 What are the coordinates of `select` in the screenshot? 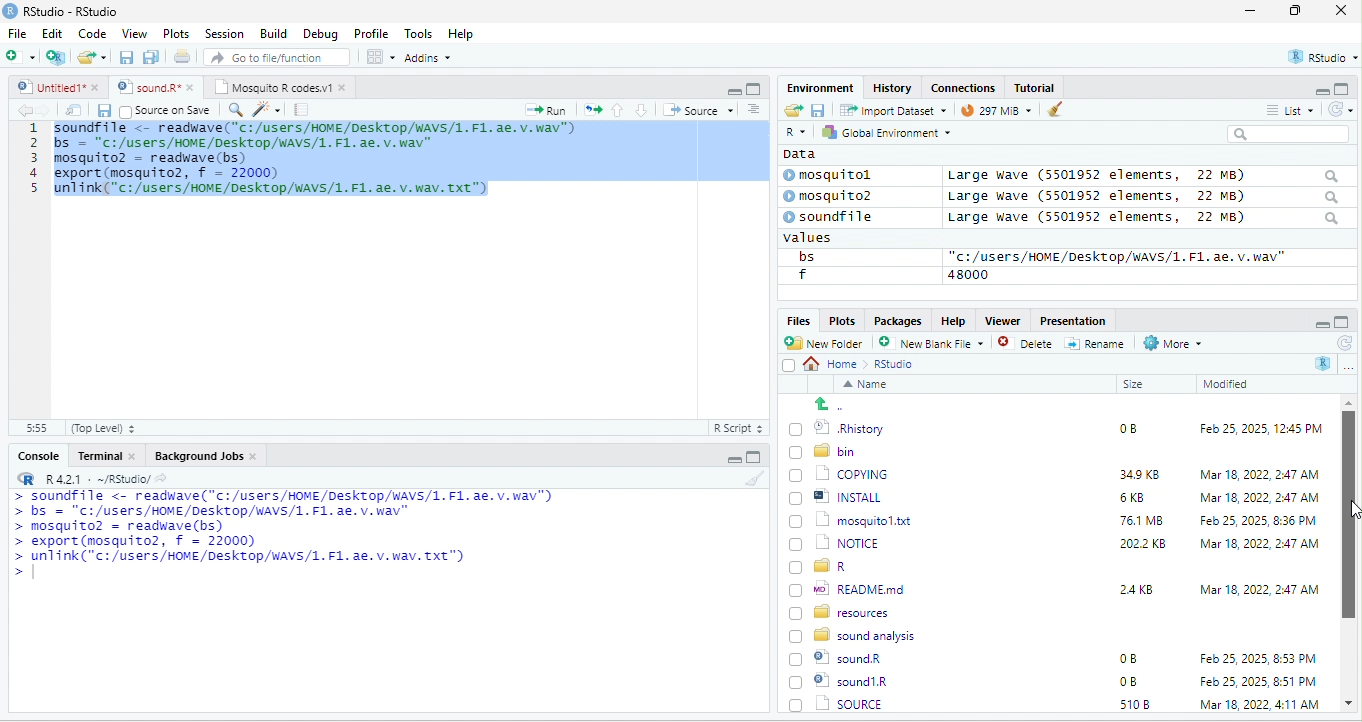 It's located at (791, 369).